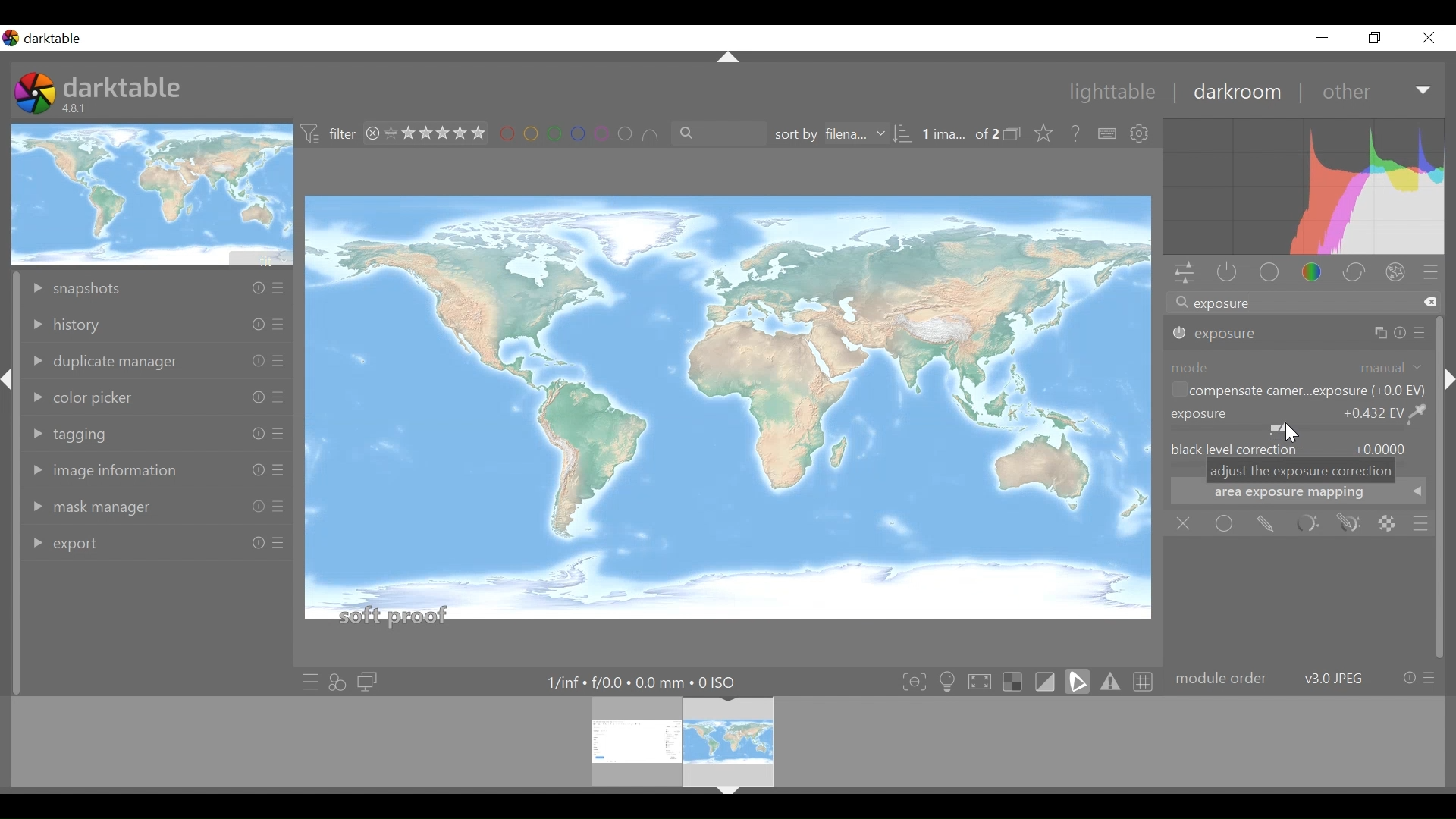  Describe the element at coordinates (1047, 681) in the screenshot. I see `toggle clipping indication` at that location.